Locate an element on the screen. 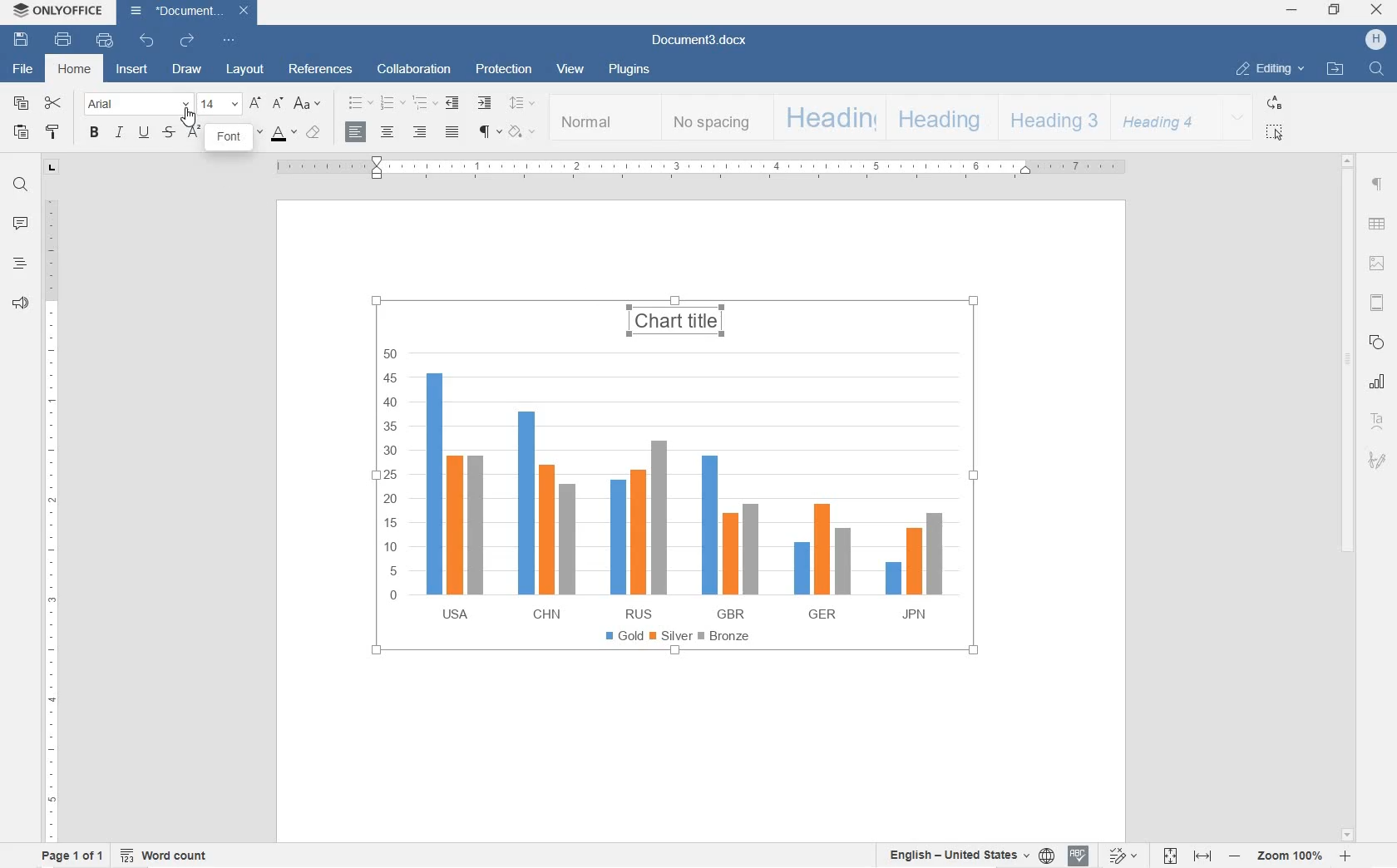  STRIKETHROUGH is located at coordinates (170, 134).